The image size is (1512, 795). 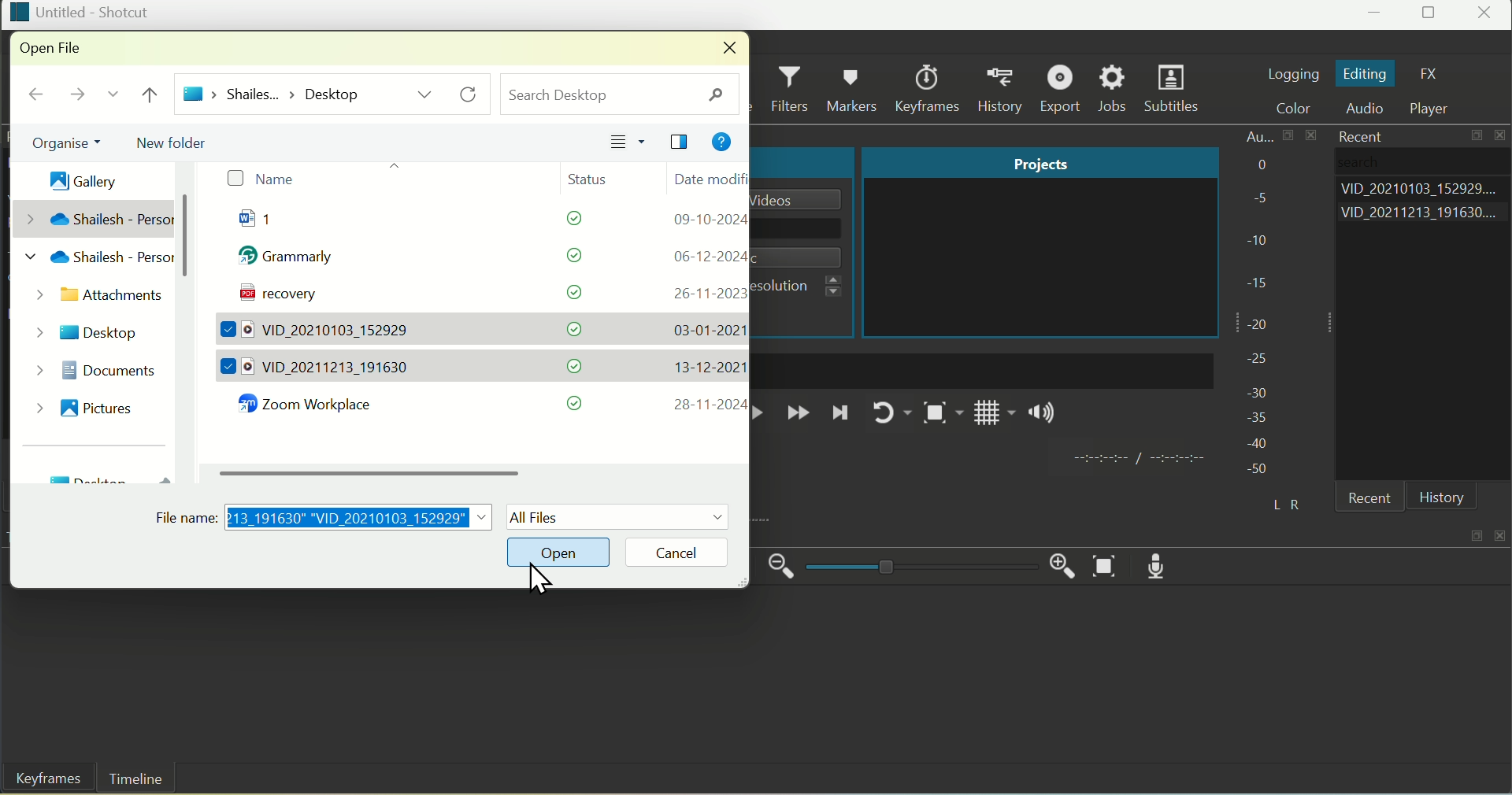 What do you see at coordinates (111, 98) in the screenshot?
I see `down` at bounding box center [111, 98].